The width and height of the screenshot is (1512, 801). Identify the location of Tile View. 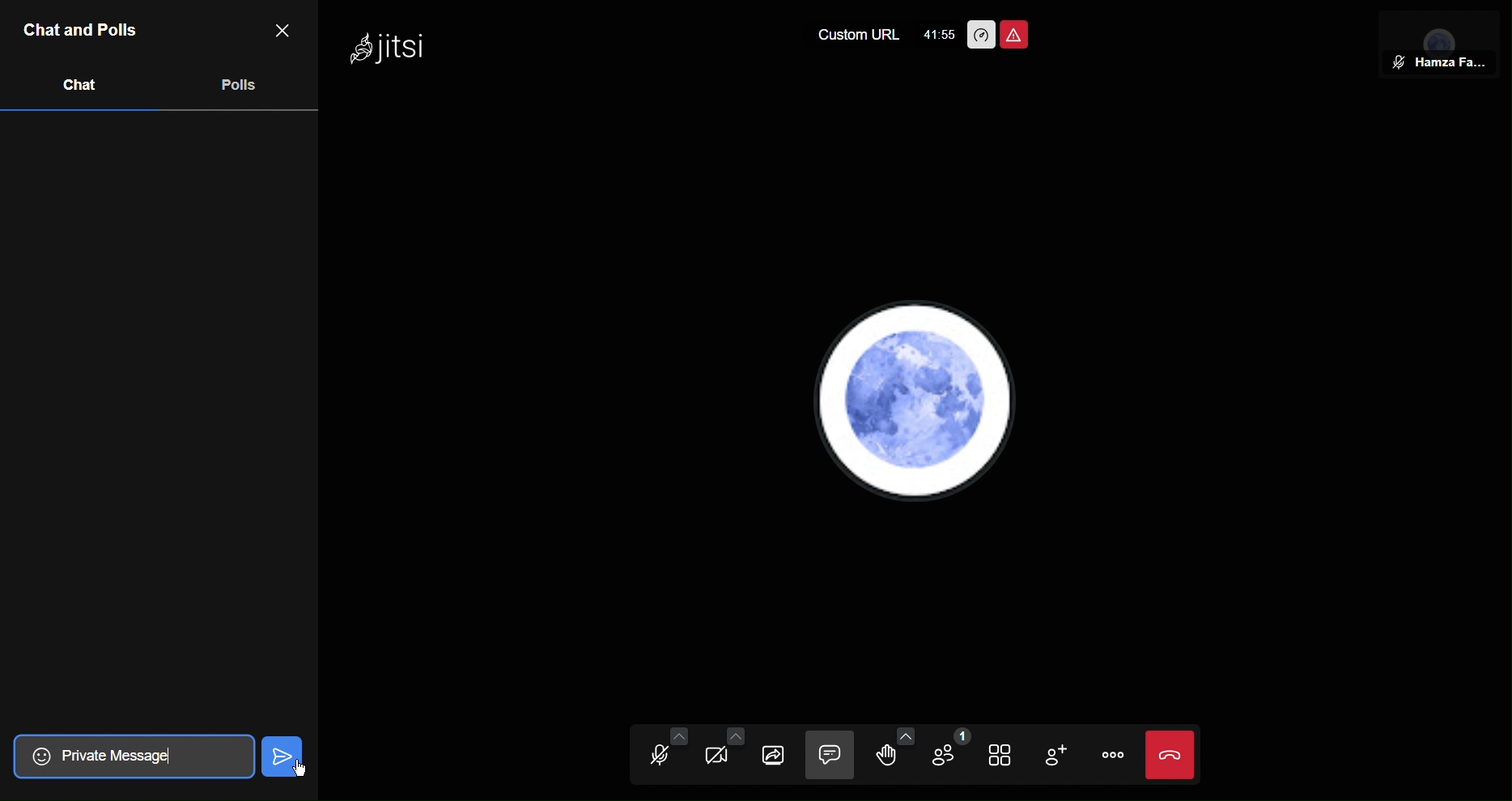
(1009, 751).